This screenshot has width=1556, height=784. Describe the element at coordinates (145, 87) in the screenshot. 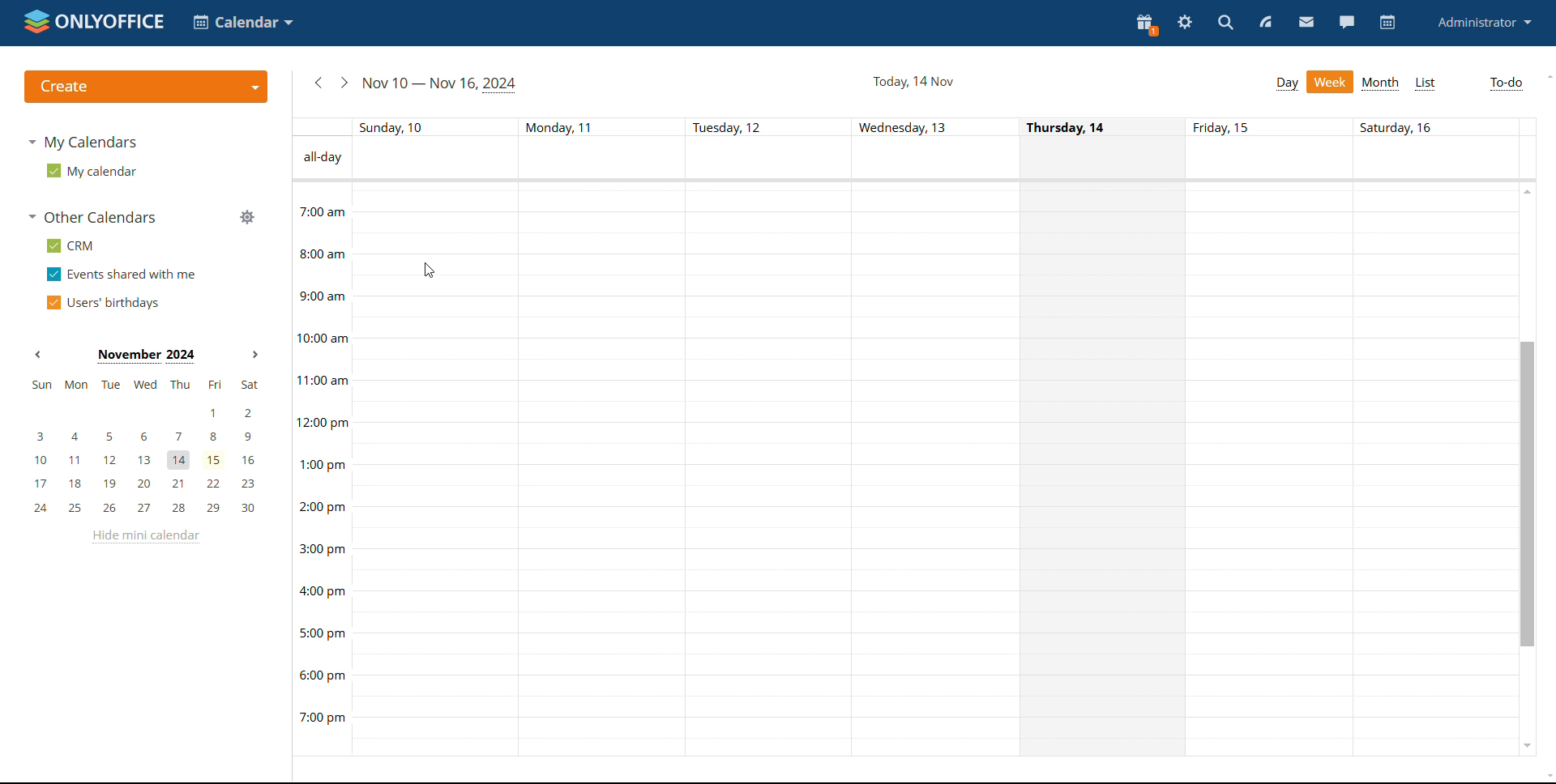

I see `create` at that location.